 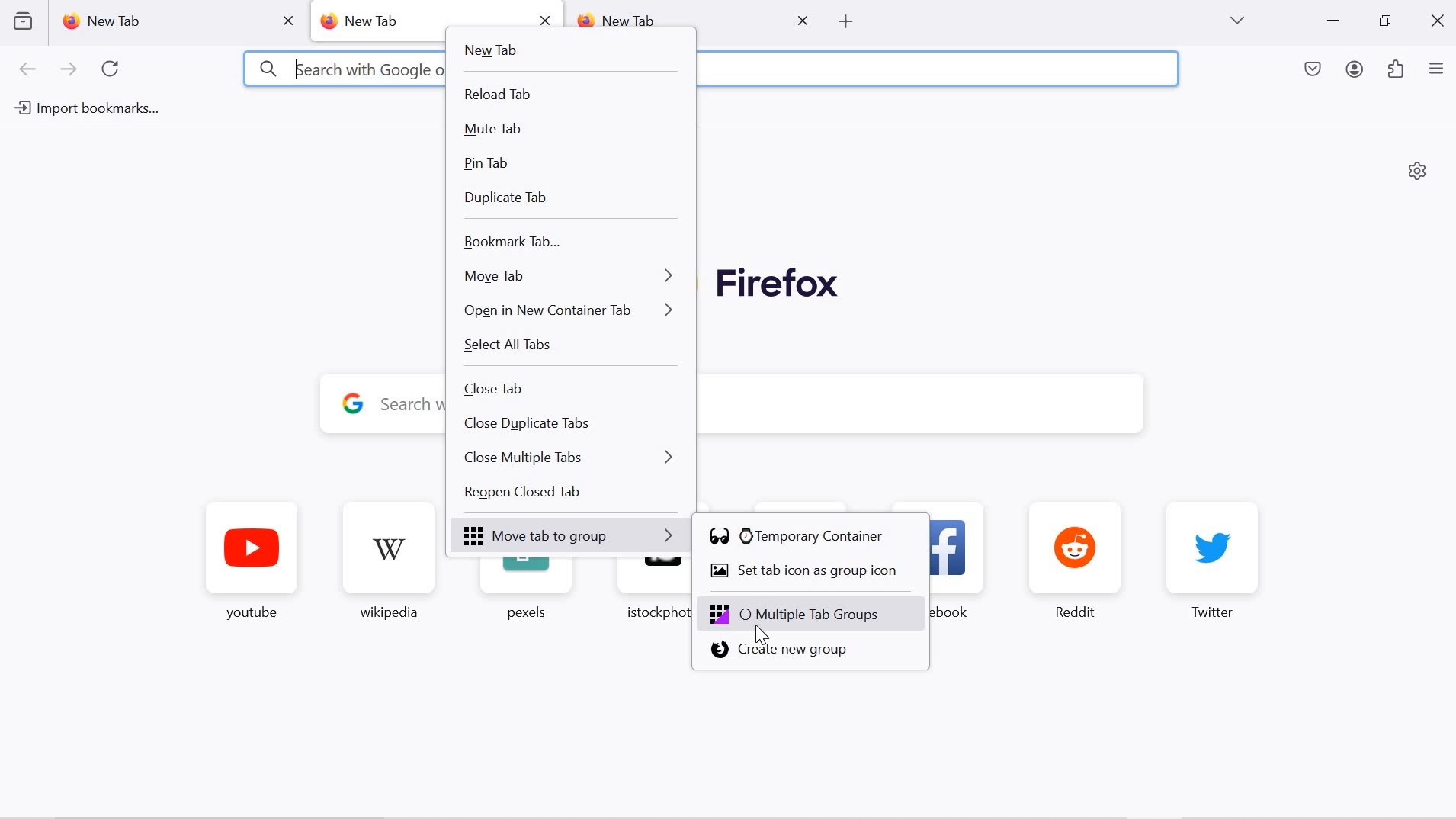 What do you see at coordinates (805, 536) in the screenshot?
I see `temporary container` at bounding box center [805, 536].